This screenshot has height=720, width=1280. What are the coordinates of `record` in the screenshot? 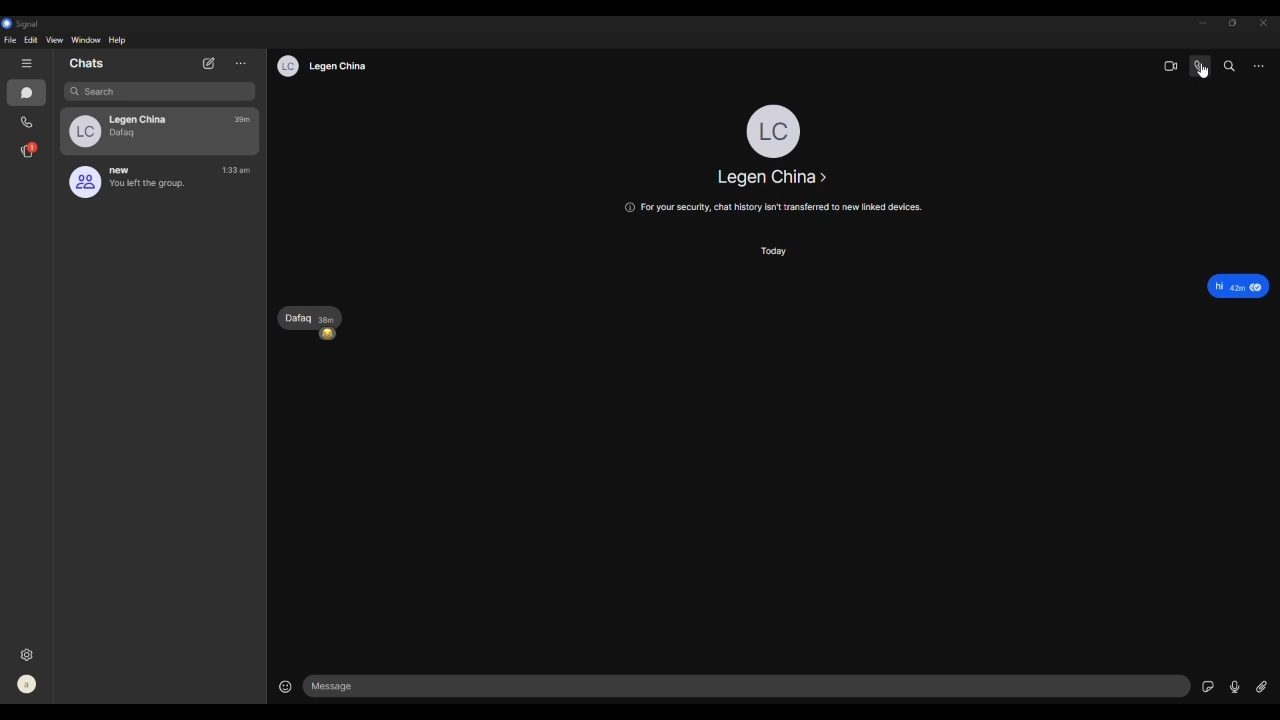 It's located at (1234, 687).